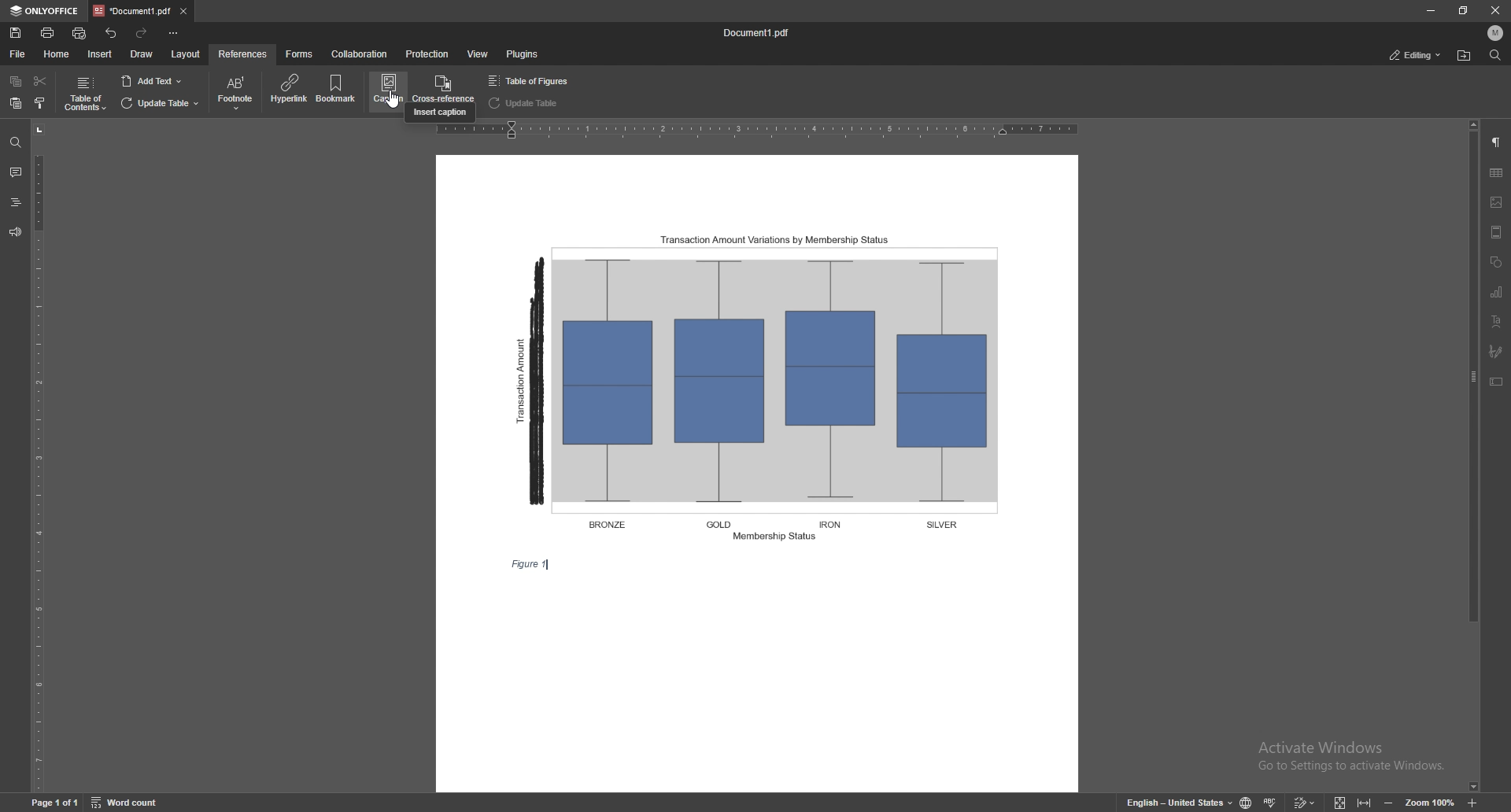 The width and height of the screenshot is (1511, 812). Describe the element at coordinates (1494, 10) in the screenshot. I see `close` at that location.